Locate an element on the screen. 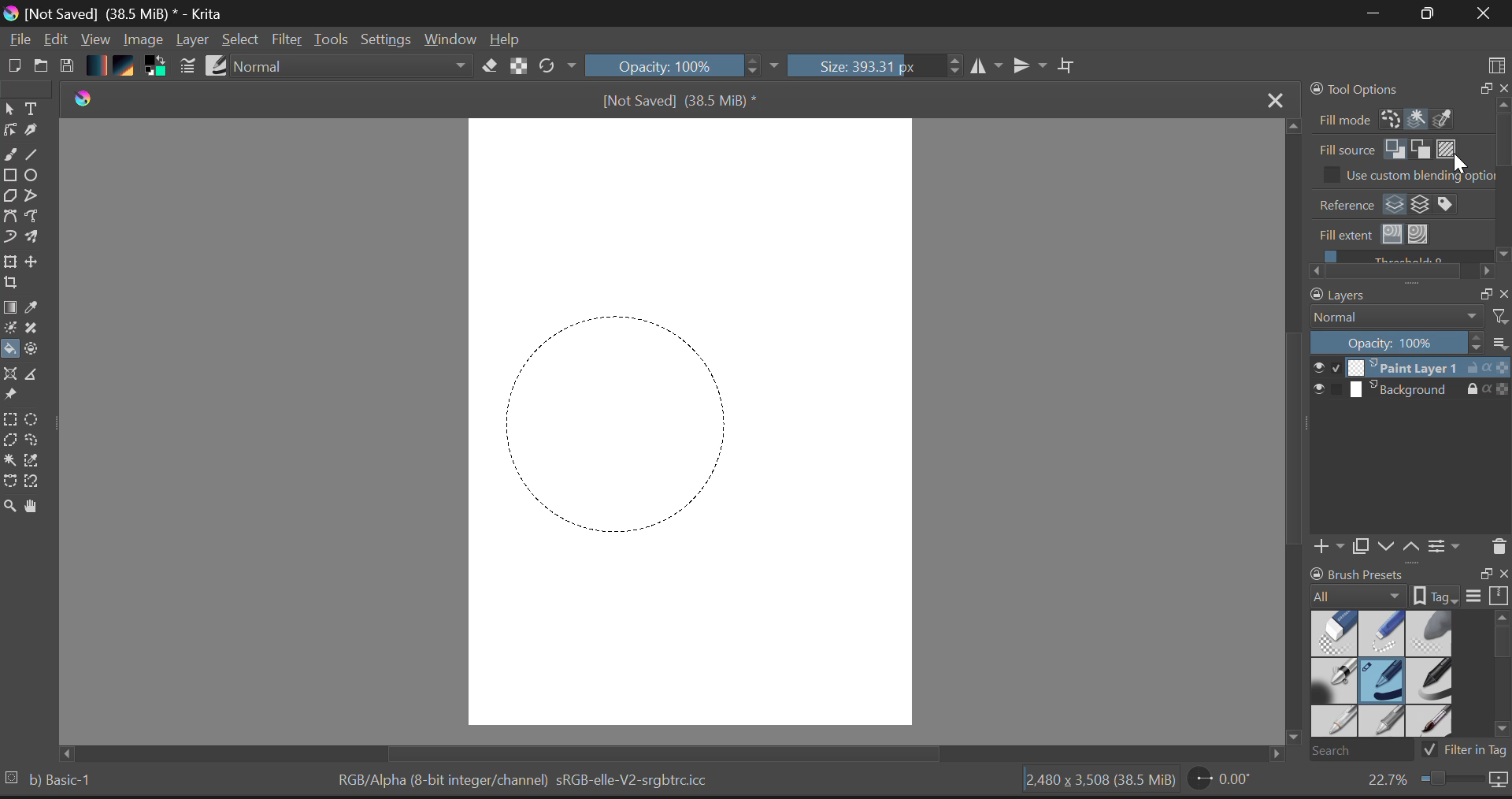 This screenshot has width=1512, height=799. Colors in use is located at coordinates (155, 67).